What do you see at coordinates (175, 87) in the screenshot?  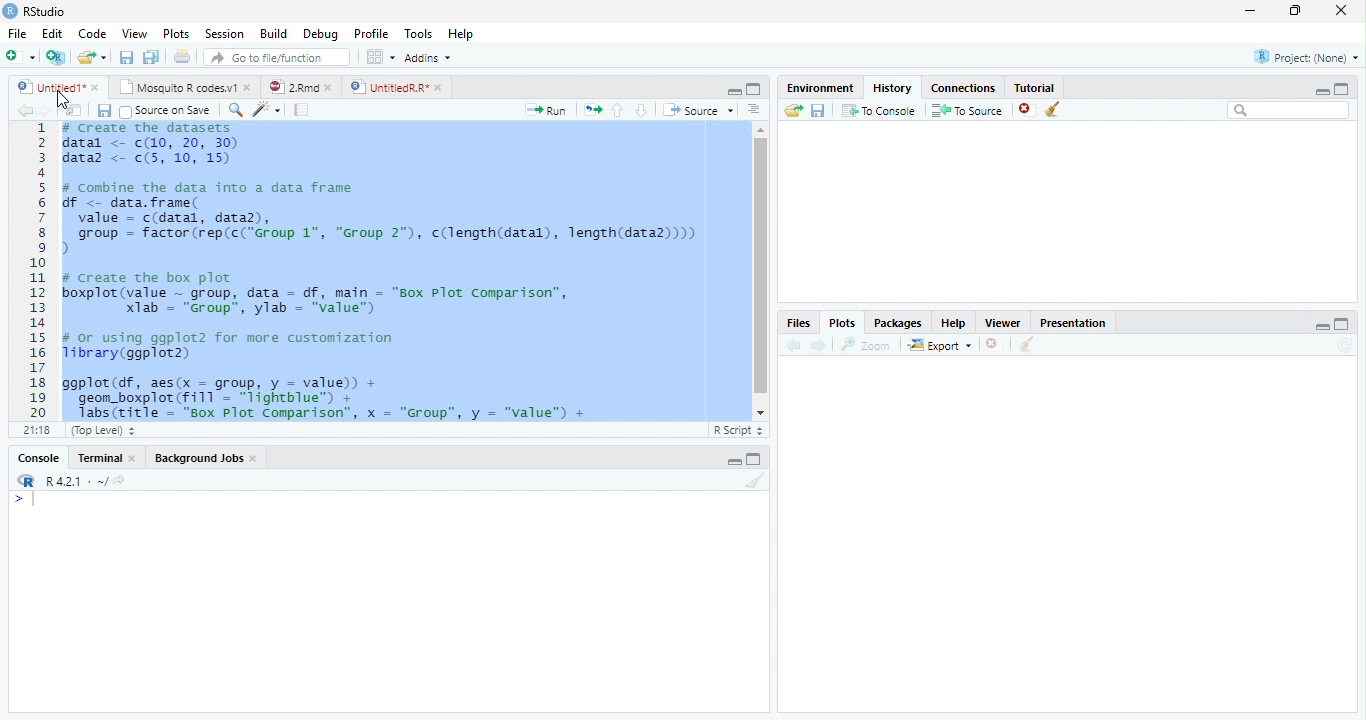 I see `Mosquito R codes.v1` at bounding box center [175, 87].